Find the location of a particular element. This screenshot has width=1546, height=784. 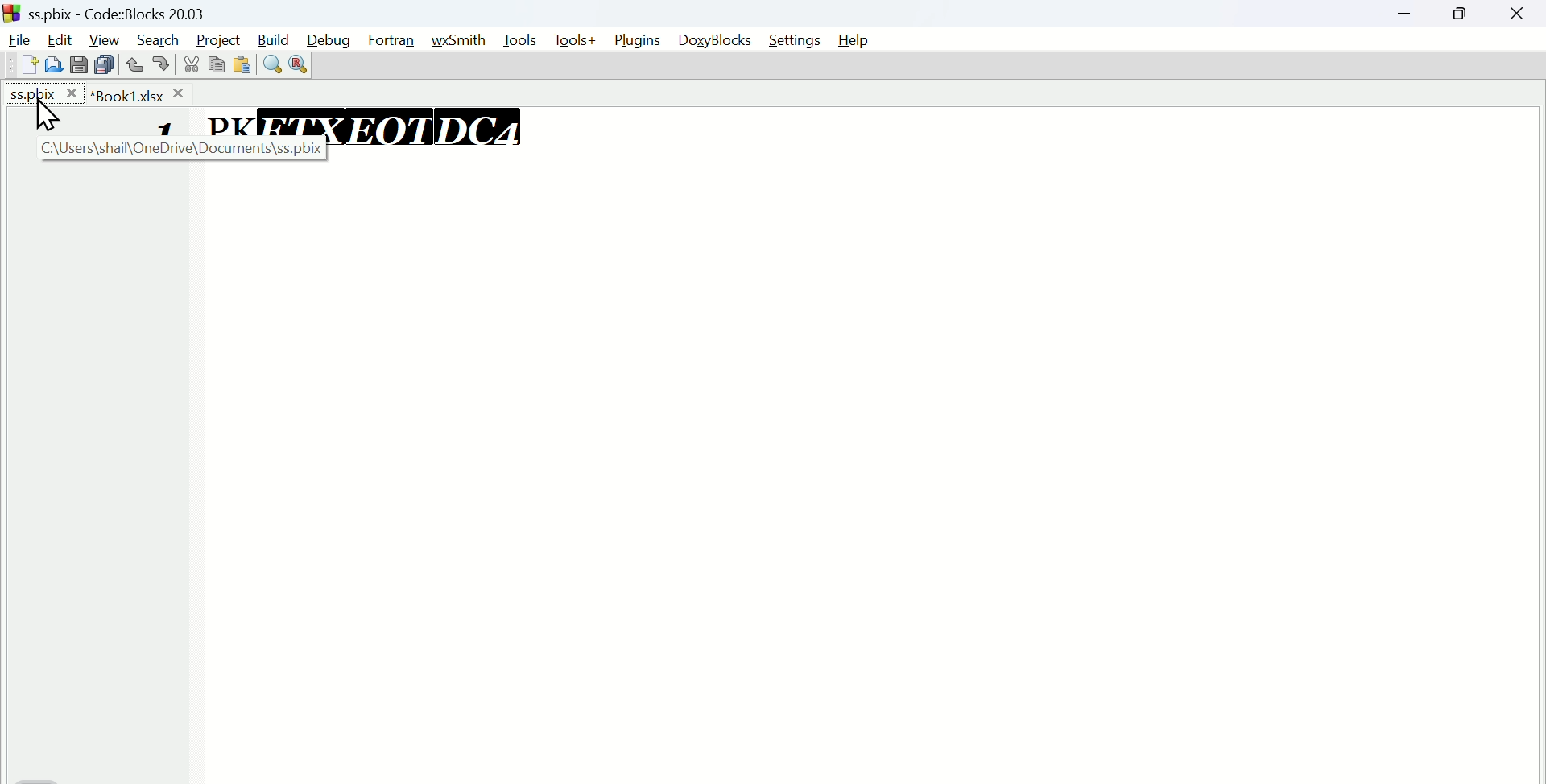

Paste is located at coordinates (105, 64).